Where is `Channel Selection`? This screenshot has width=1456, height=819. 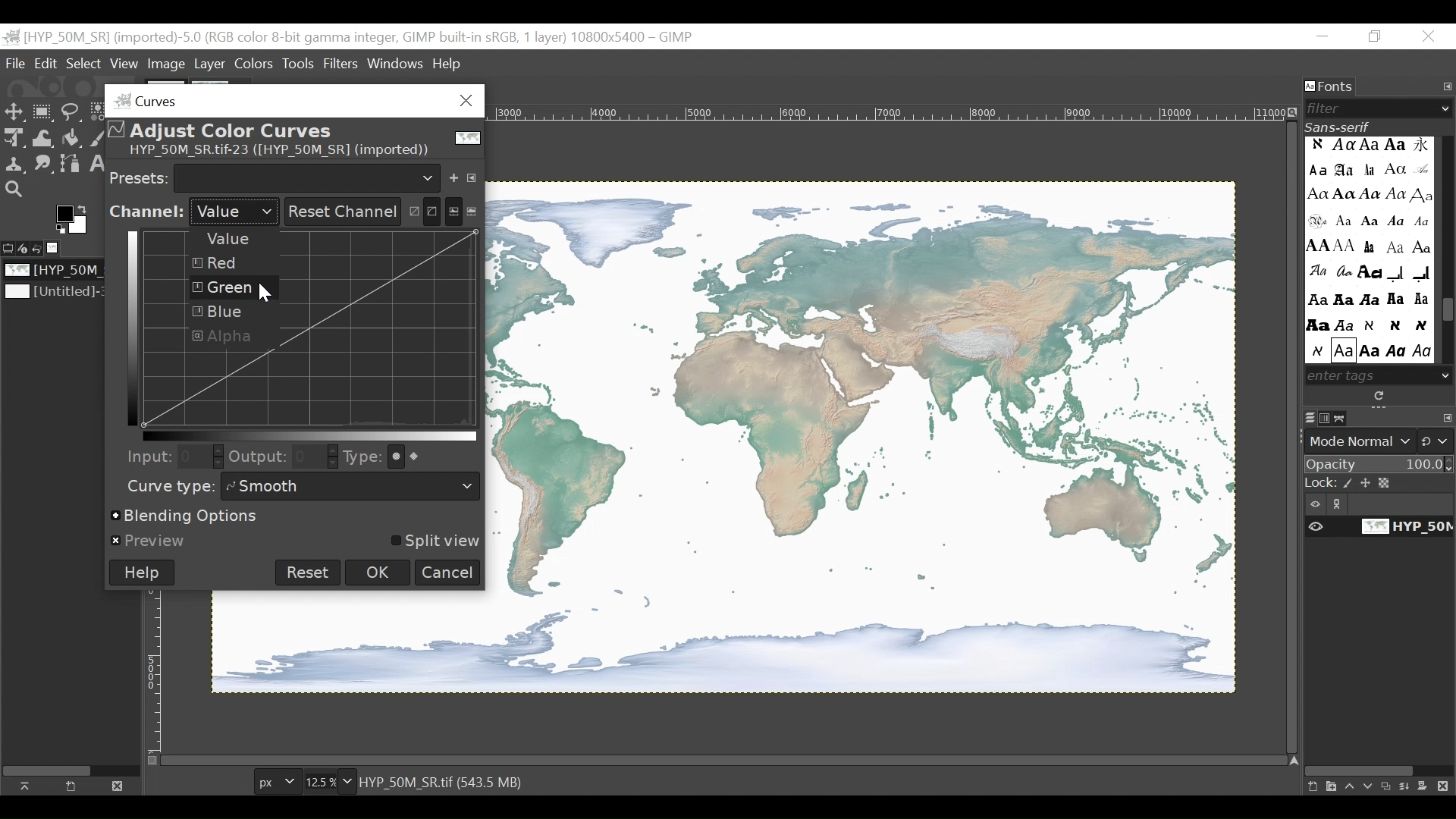
Channel Selection is located at coordinates (193, 212).